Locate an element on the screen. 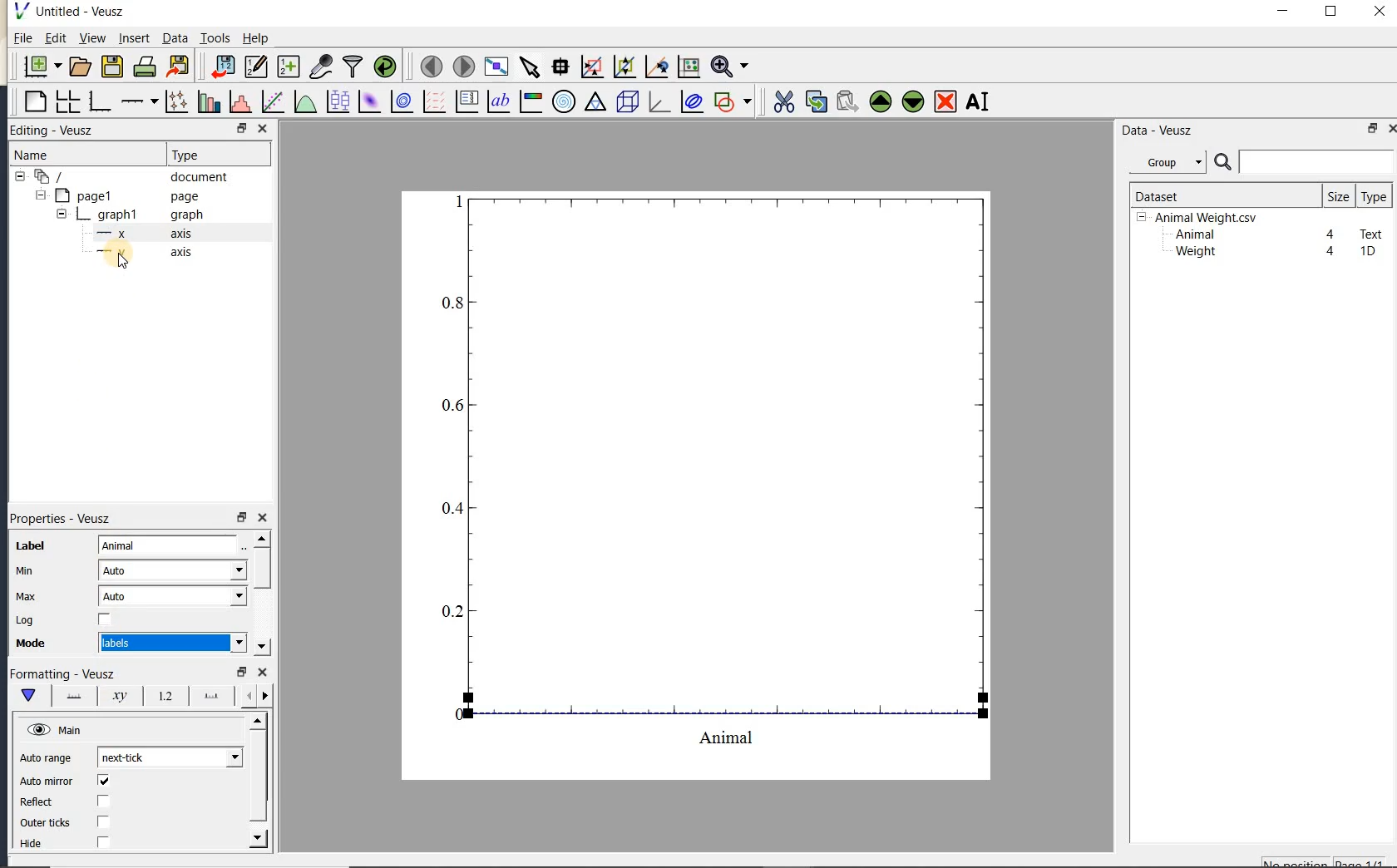 This screenshot has width=1397, height=868. Auto mirror is located at coordinates (44, 782).